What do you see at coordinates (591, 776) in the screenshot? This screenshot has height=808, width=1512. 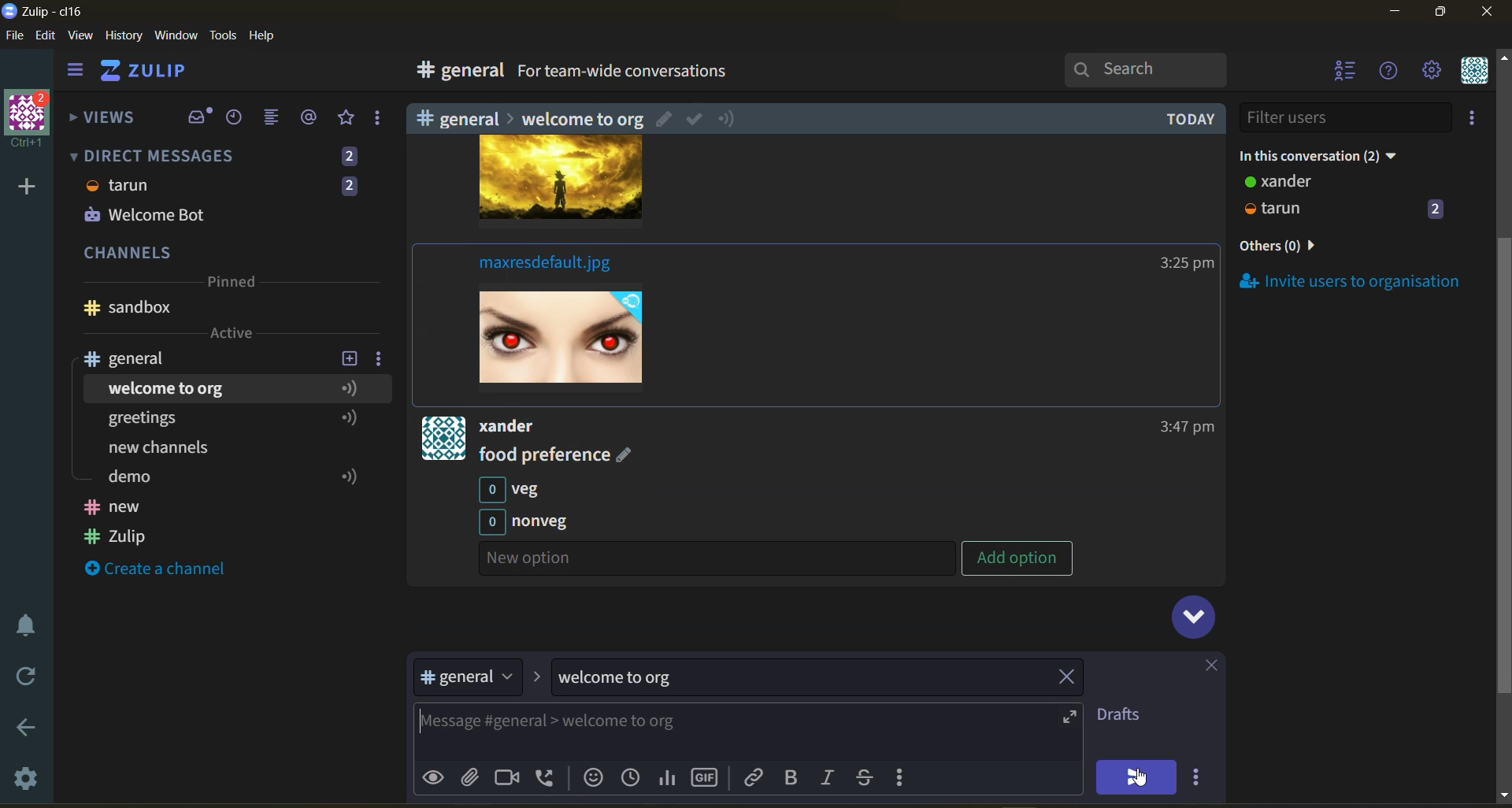 I see `add emoji` at bounding box center [591, 776].